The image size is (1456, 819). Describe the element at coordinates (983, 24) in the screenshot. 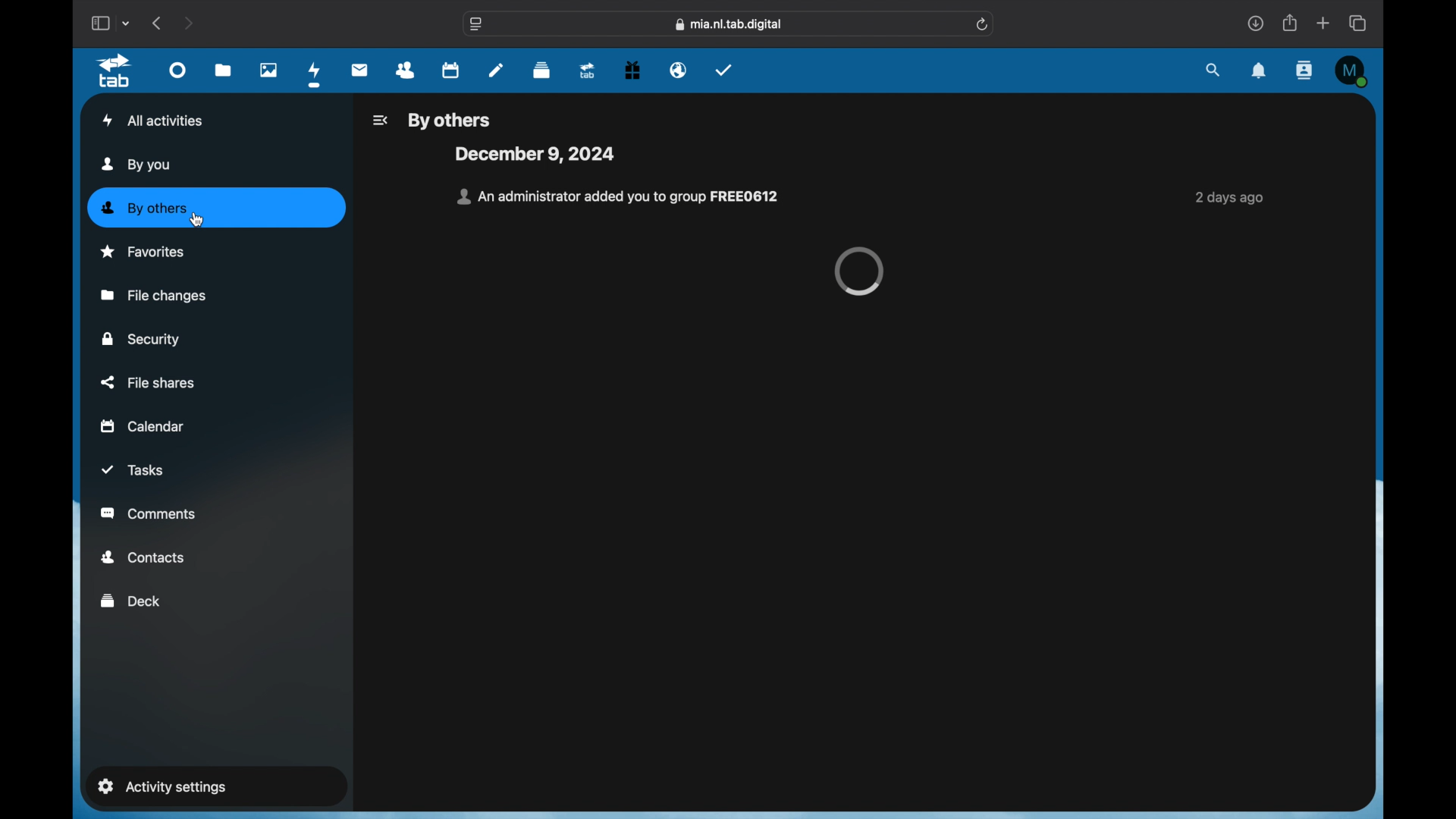

I see `refresh` at that location.